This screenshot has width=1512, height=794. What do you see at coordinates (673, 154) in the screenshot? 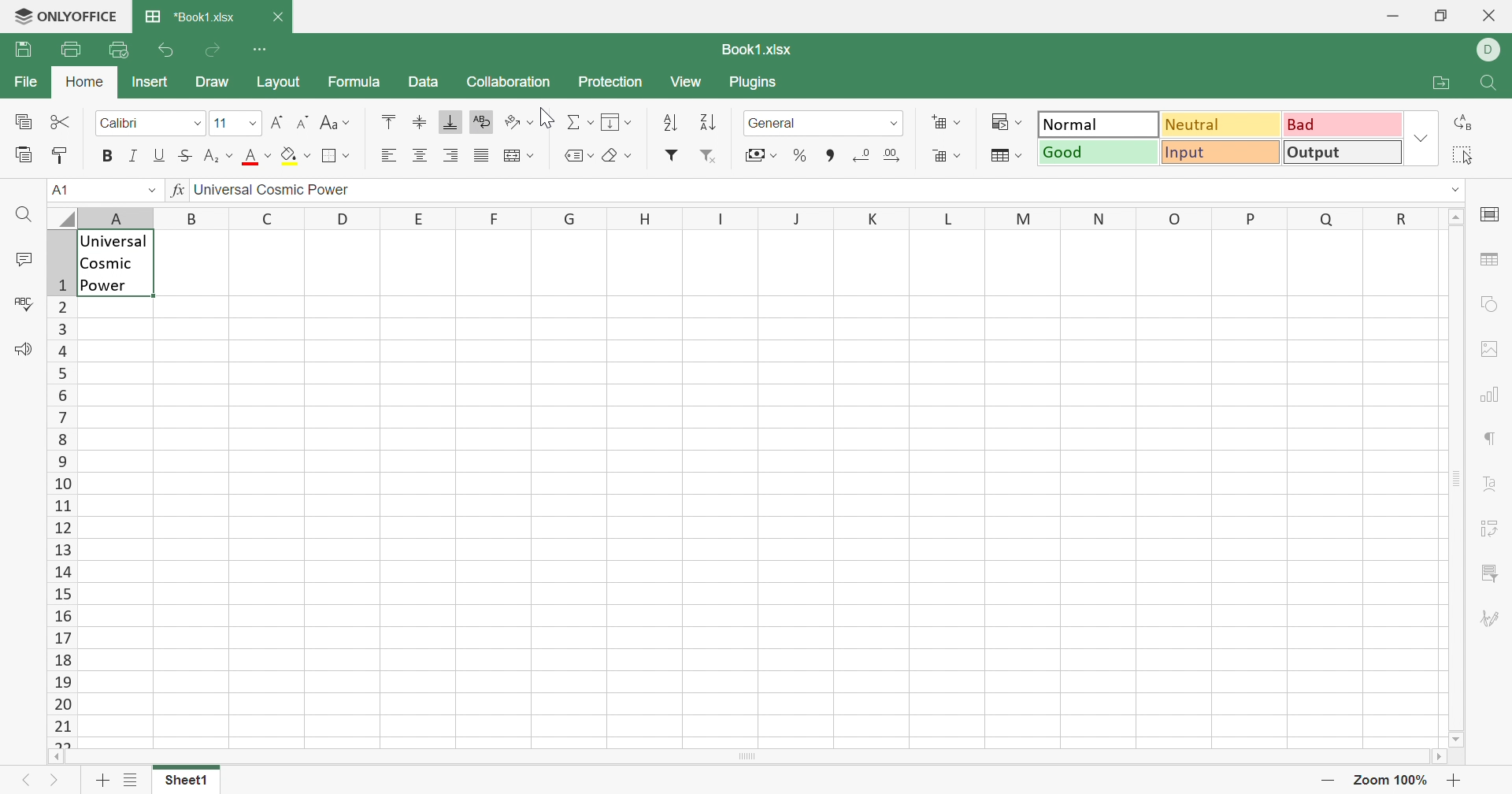
I see `Insert Filter` at bounding box center [673, 154].